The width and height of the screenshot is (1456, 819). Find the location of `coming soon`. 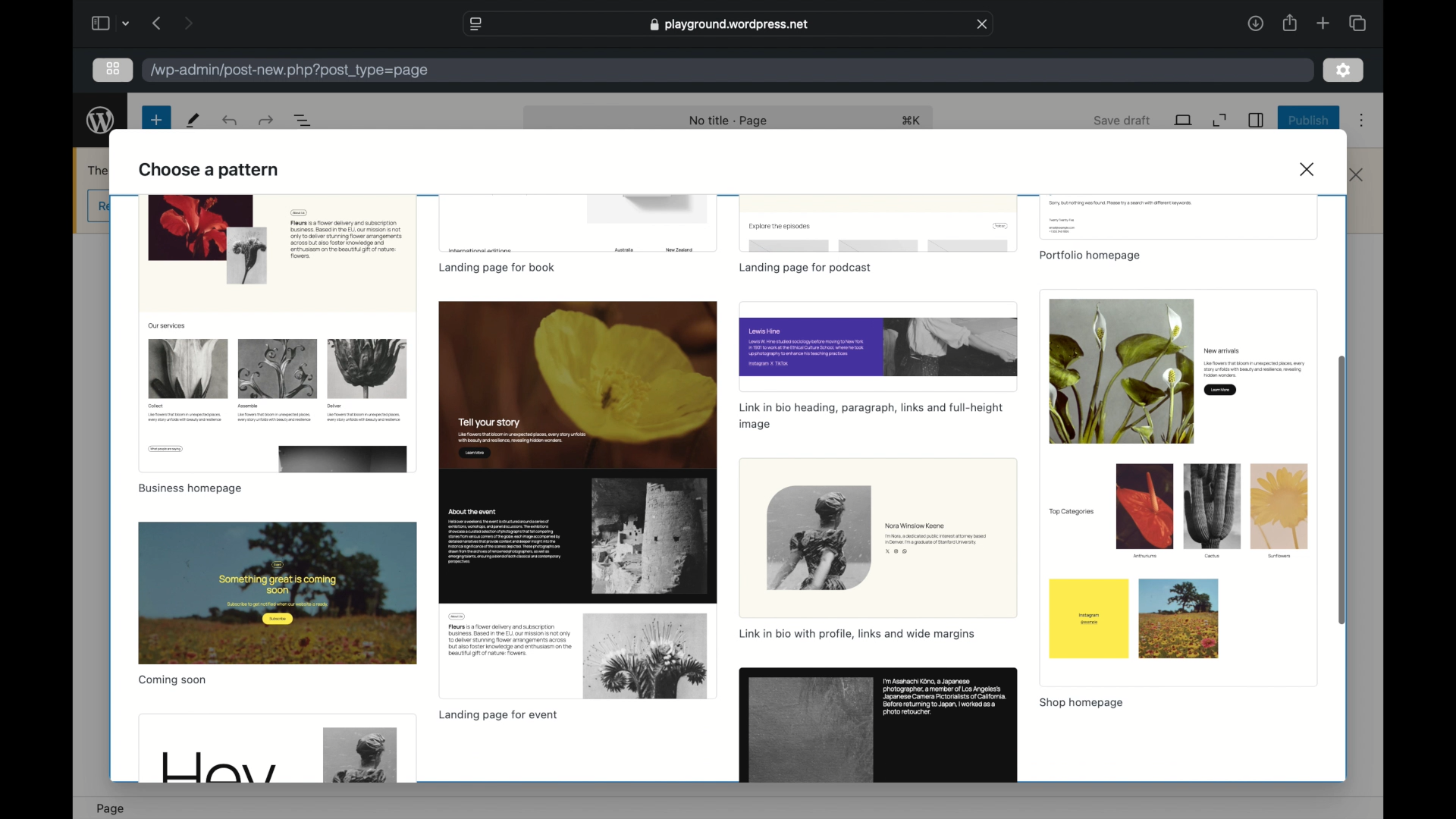

coming soon is located at coordinates (173, 680).